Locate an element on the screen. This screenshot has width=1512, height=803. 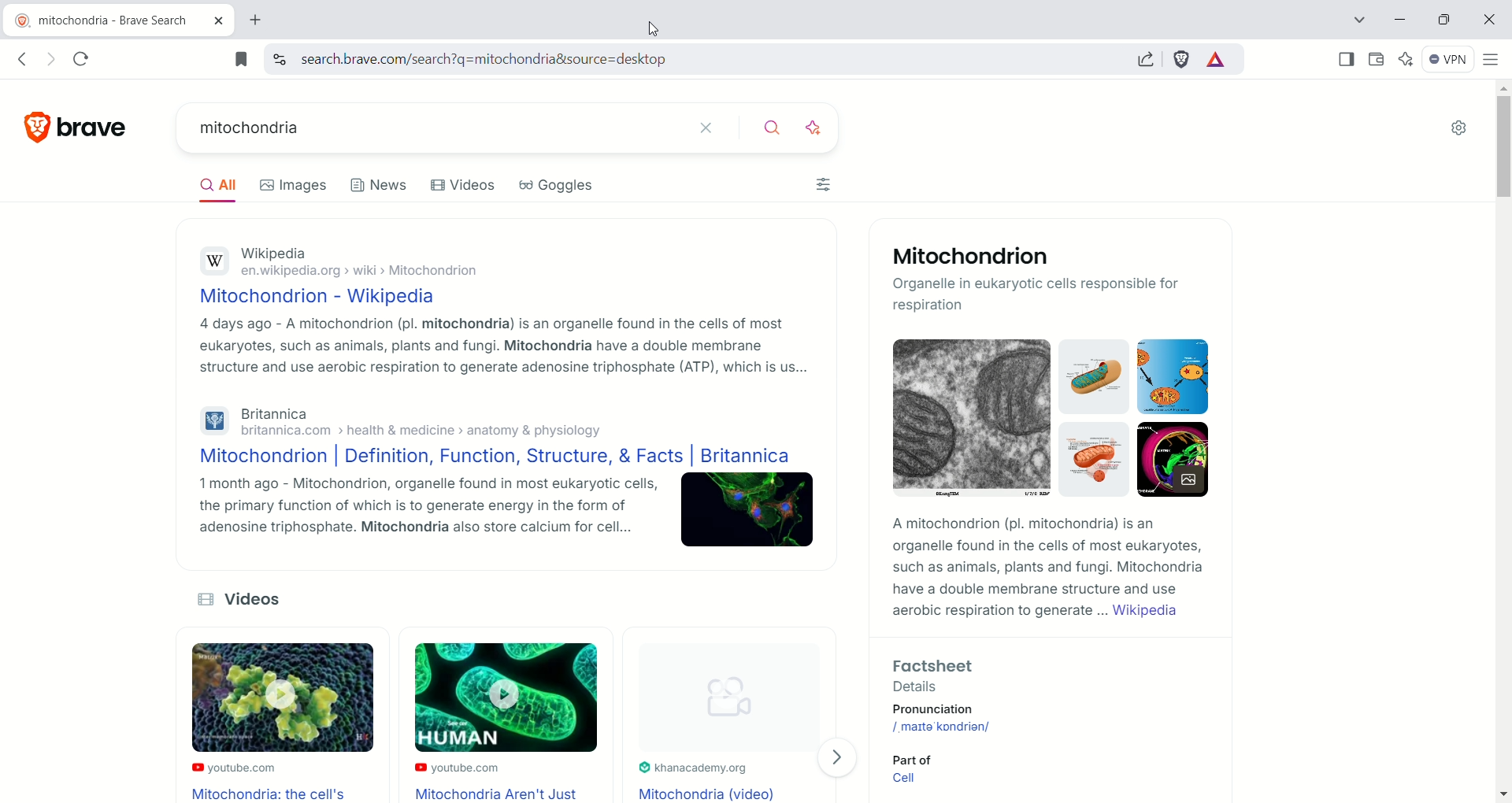
A mitochondrion (pl. mitochondria) is an
organelle found in the cells of most eukaryotes,
such as animals, plants and fungi. Mitochondria
have a double membrane structure and use
aerobic respiration to generate ... Wikipedia is located at coordinates (1043, 569).